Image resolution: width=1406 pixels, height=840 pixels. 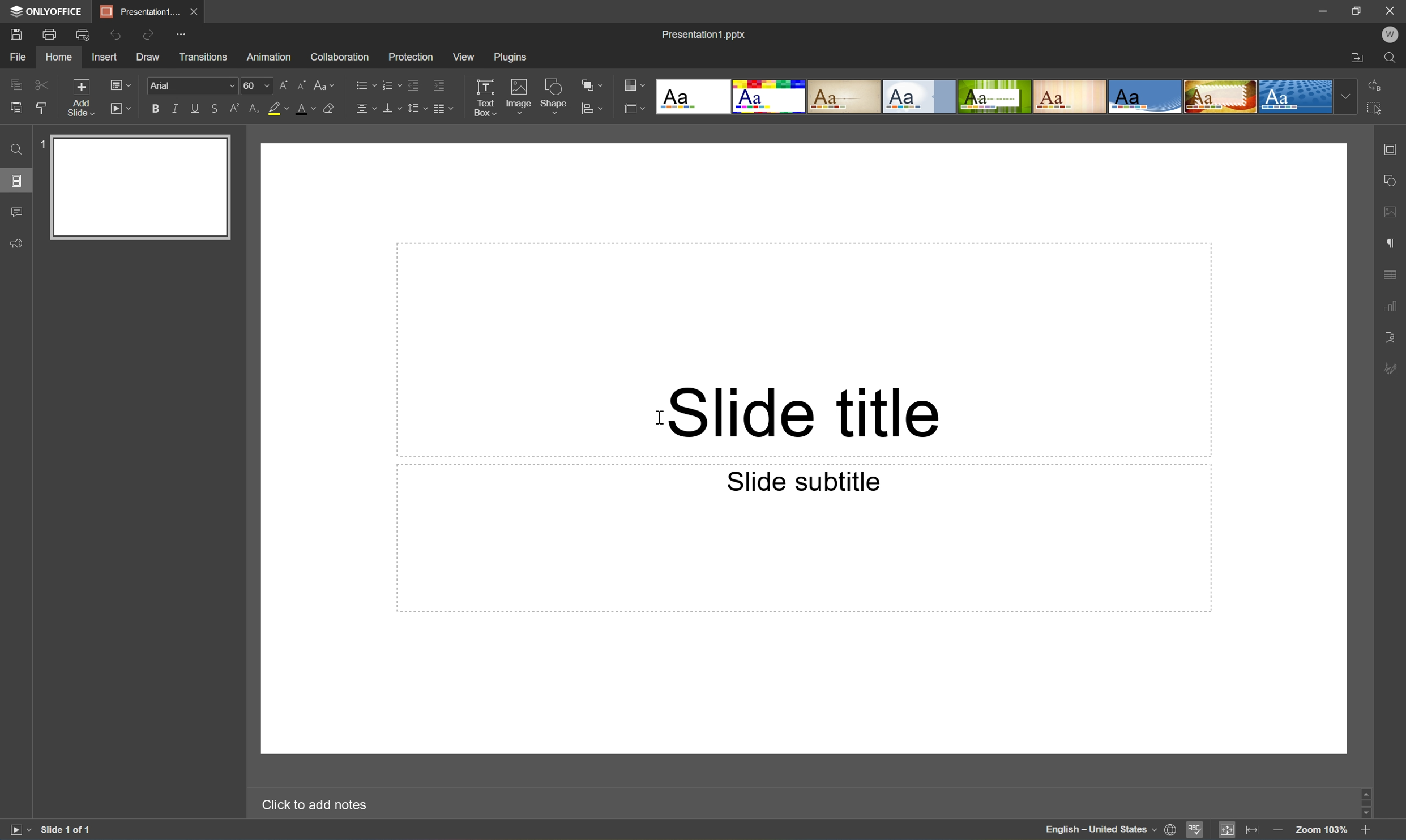 What do you see at coordinates (1365, 832) in the screenshot?
I see `Zoom in` at bounding box center [1365, 832].